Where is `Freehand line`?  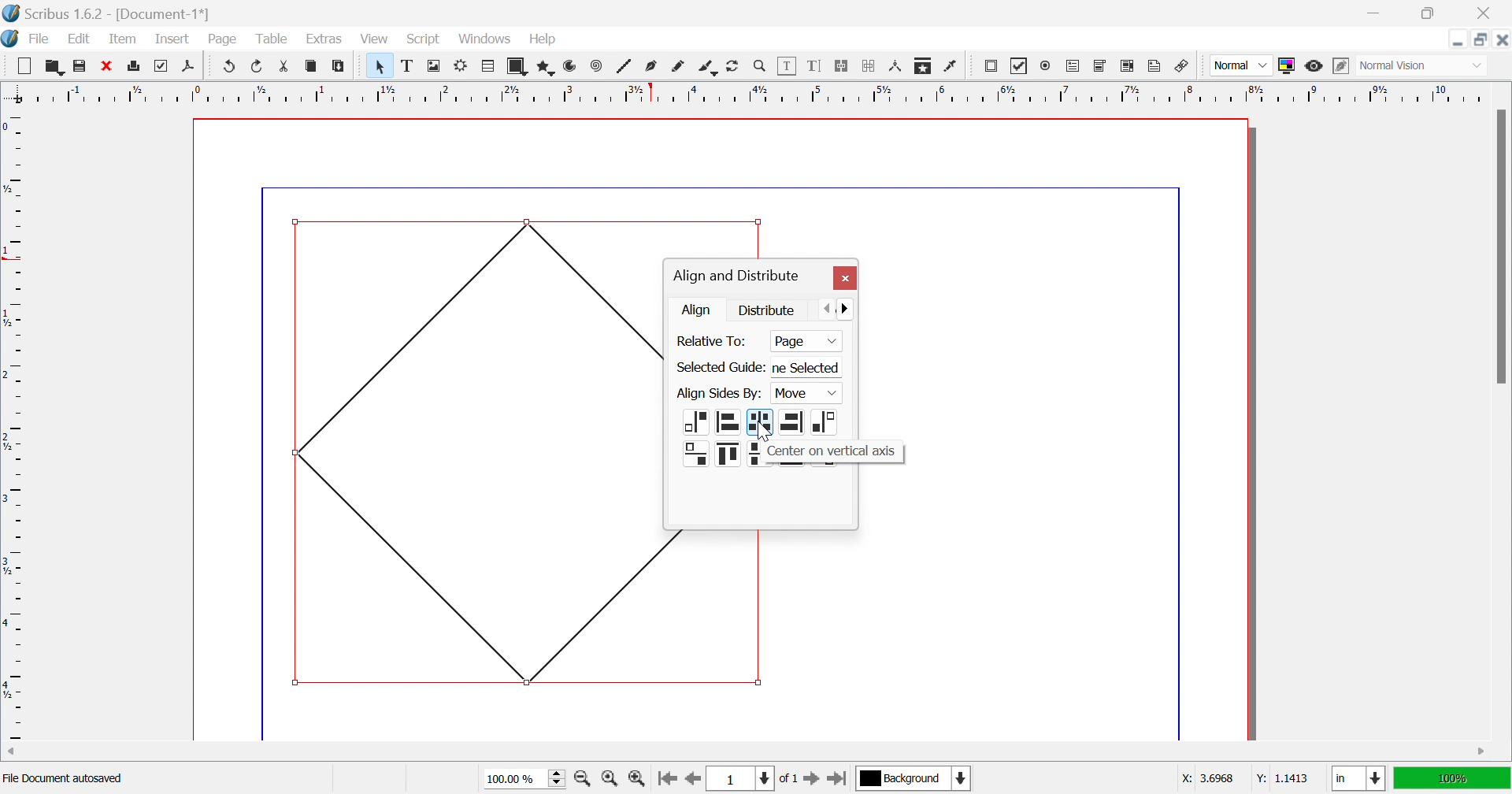
Freehand line is located at coordinates (678, 67).